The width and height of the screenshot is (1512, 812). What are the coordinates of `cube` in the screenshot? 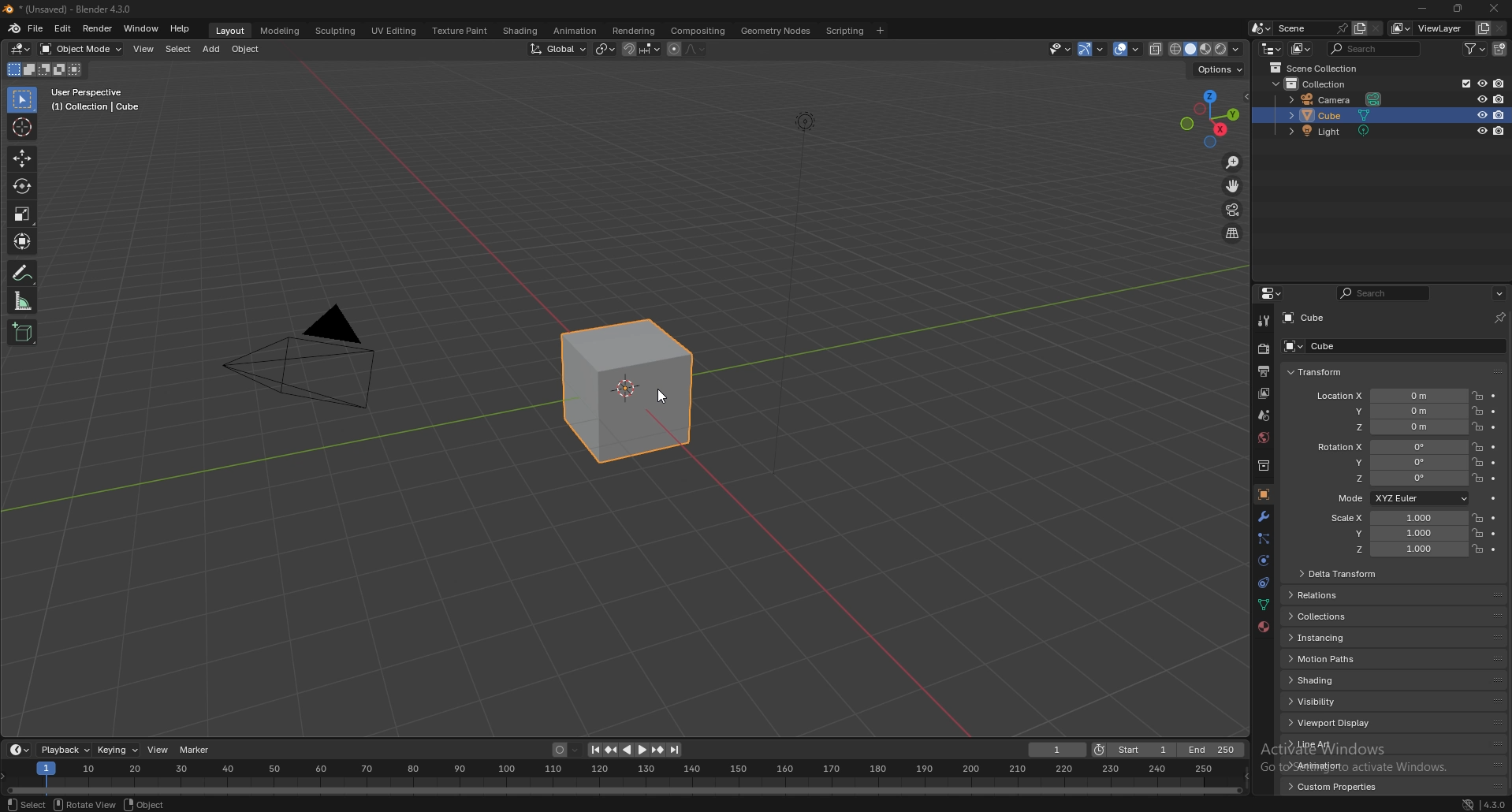 It's located at (1337, 116).